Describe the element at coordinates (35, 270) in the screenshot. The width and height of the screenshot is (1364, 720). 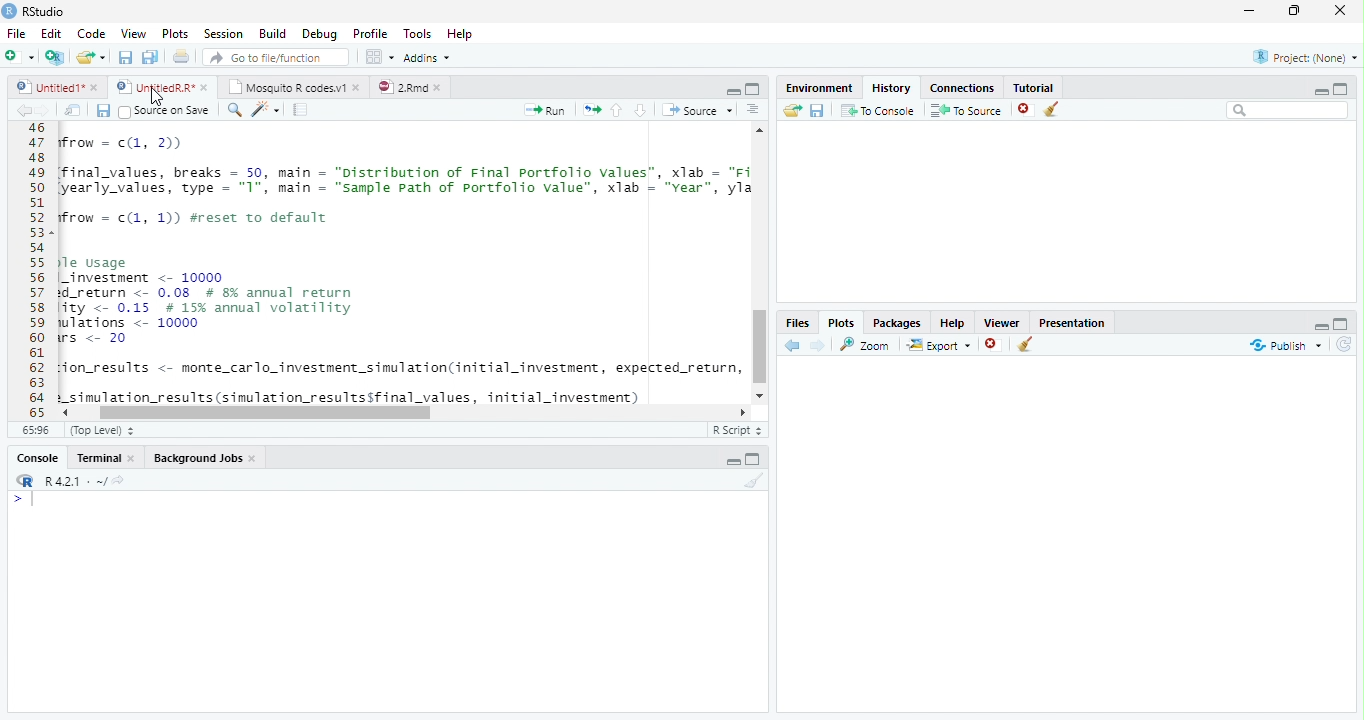
I see `Line Numbers` at that location.